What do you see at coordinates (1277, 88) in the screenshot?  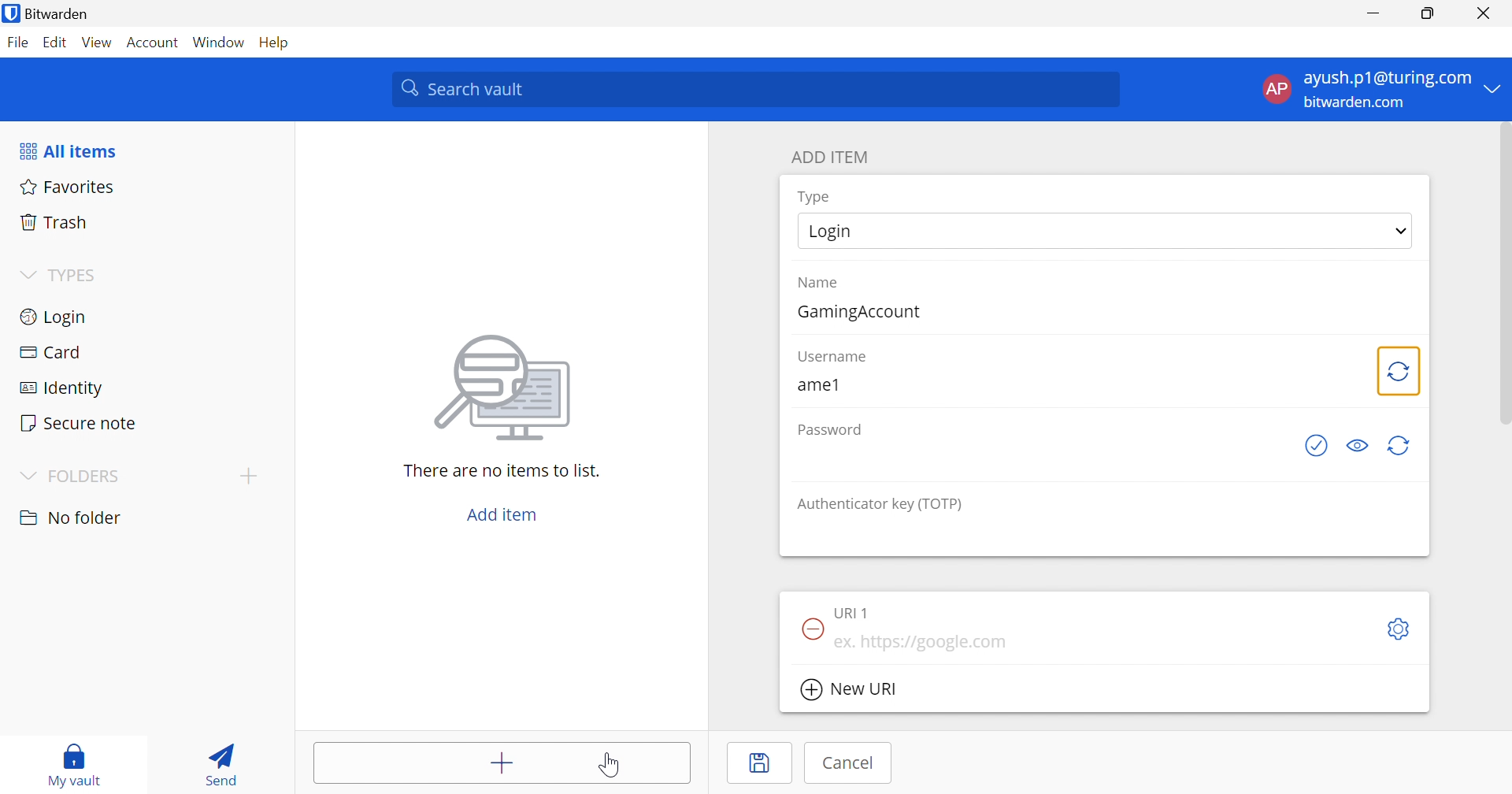 I see `AP` at bounding box center [1277, 88].